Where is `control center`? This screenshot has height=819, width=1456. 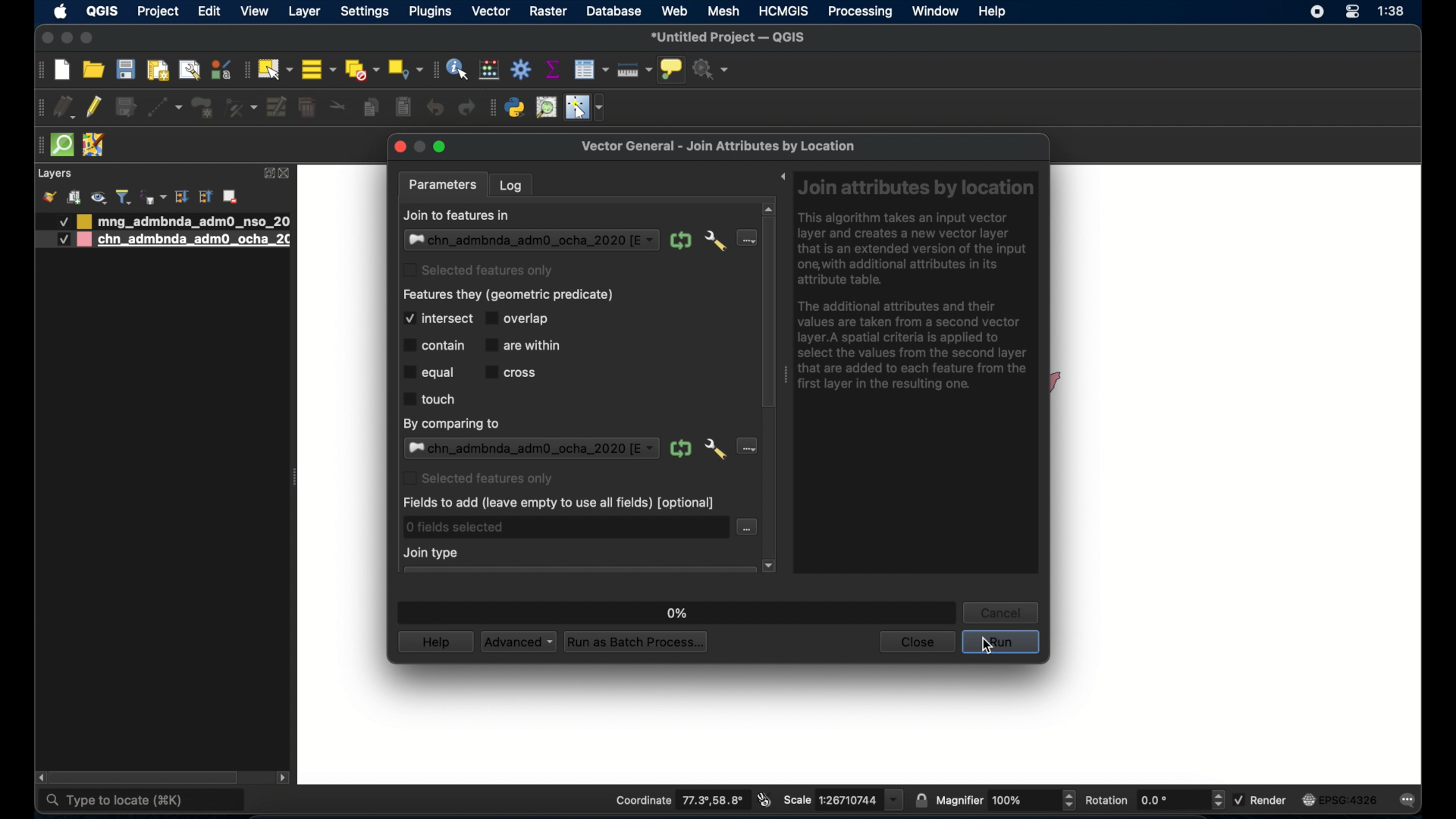
control center is located at coordinates (1313, 14).